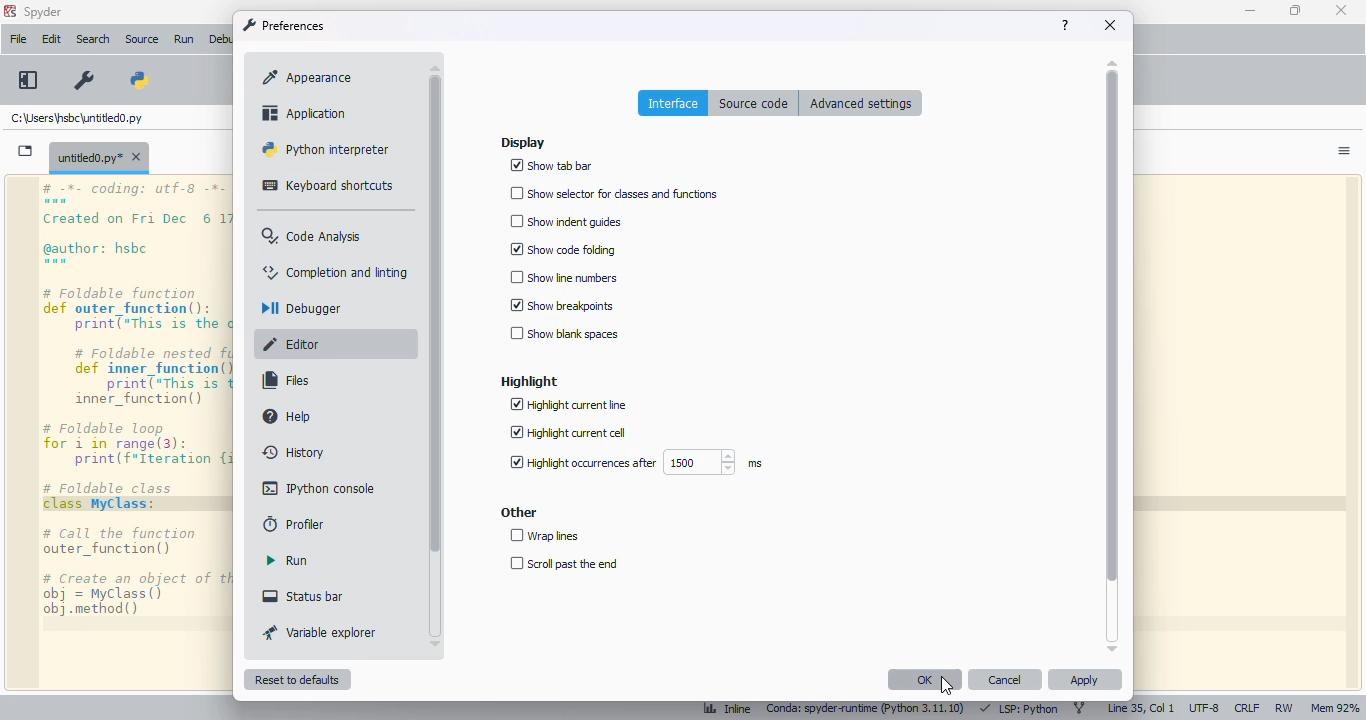 The image size is (1366, 720). I want to click on minimize, so click(1250, 11).